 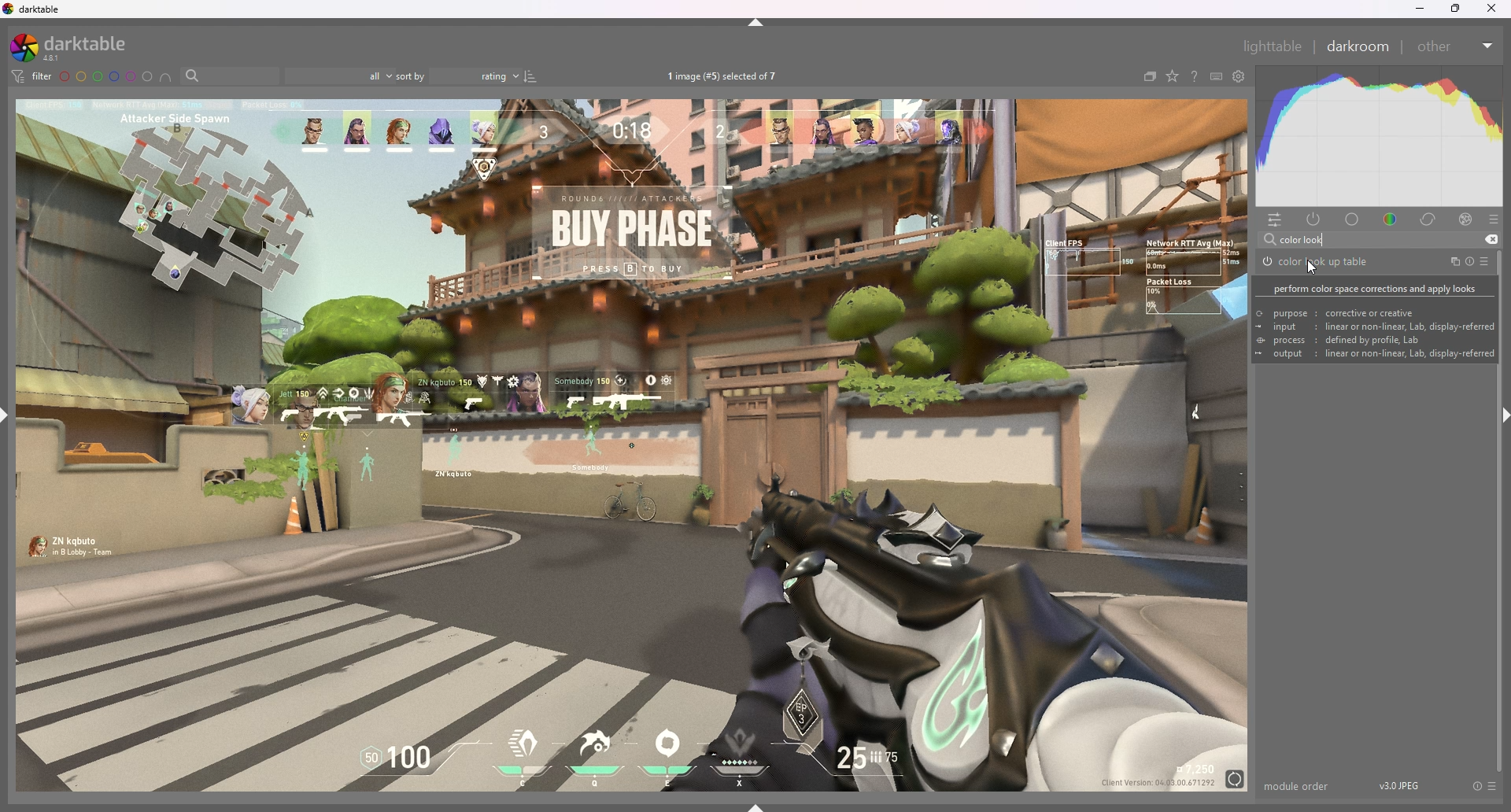 What do you see at coordinates (1476, 785) in the screenshot?
I see `reset` at bounding box center [1476, 785].